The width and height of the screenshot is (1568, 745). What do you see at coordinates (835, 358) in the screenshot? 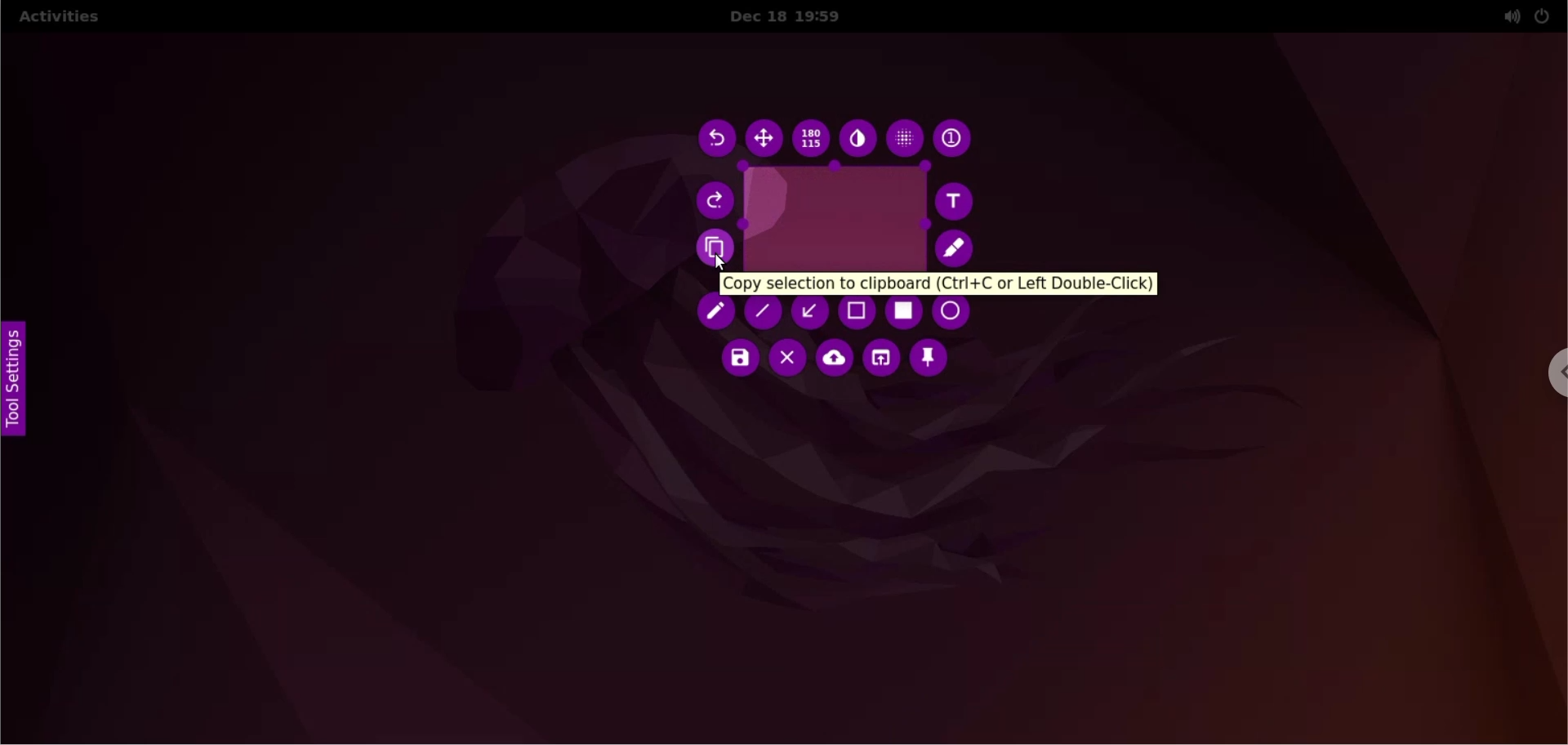
I see `upload` at bounding box center [835, 358].